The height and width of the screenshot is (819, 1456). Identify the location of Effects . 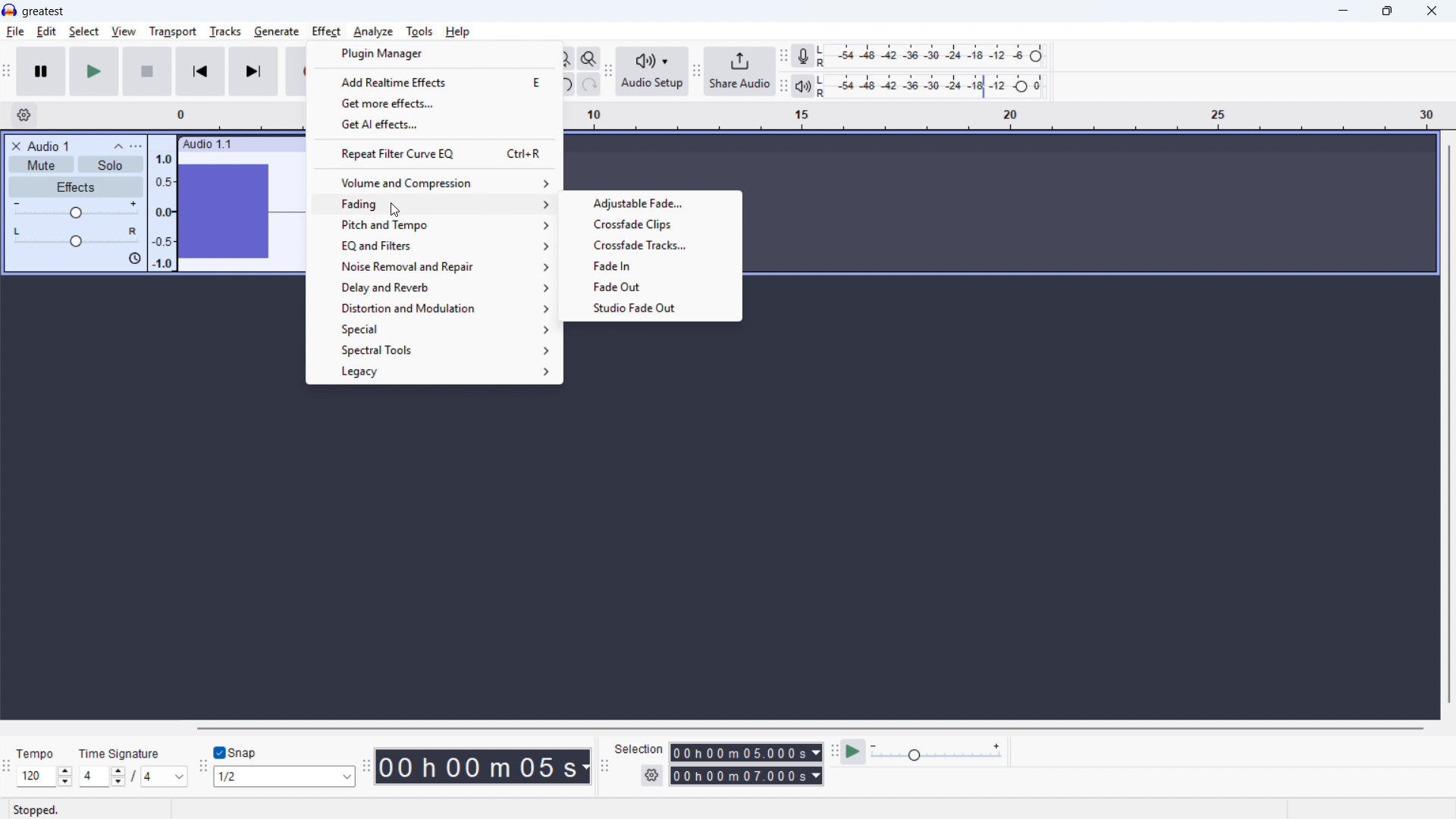
(77, 187).